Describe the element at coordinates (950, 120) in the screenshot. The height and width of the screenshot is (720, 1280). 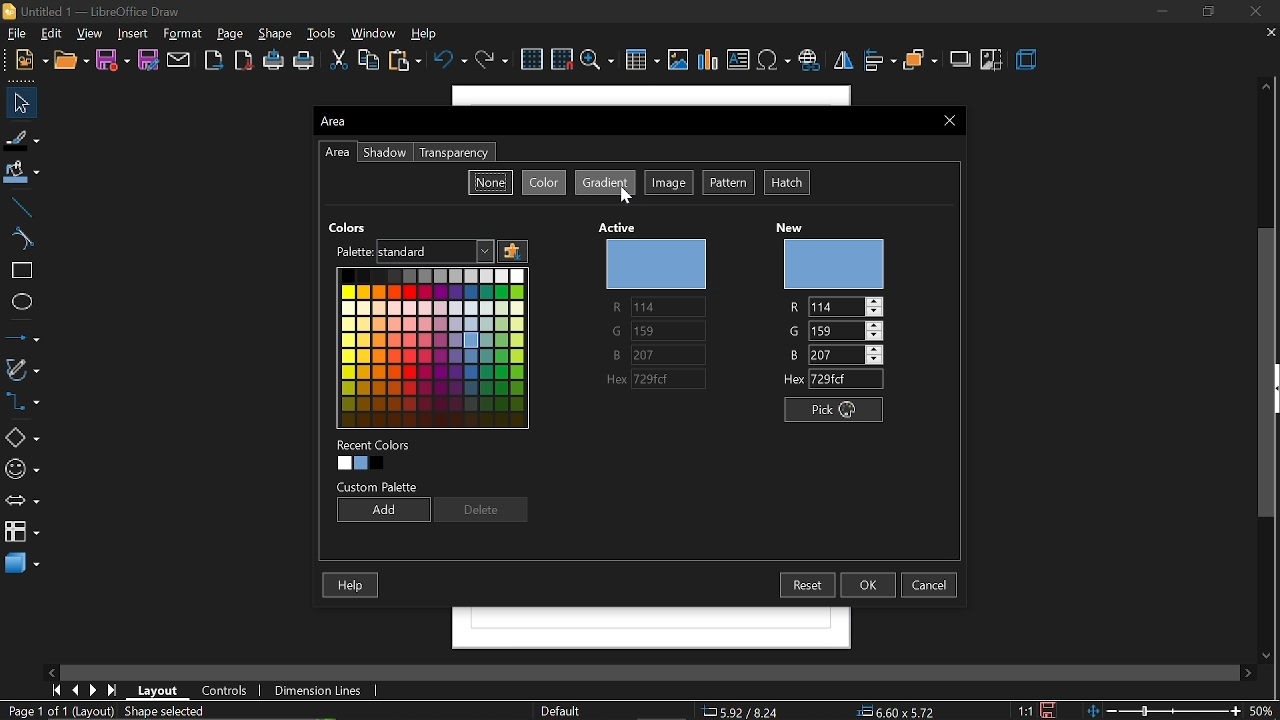
I see `close` at that location.